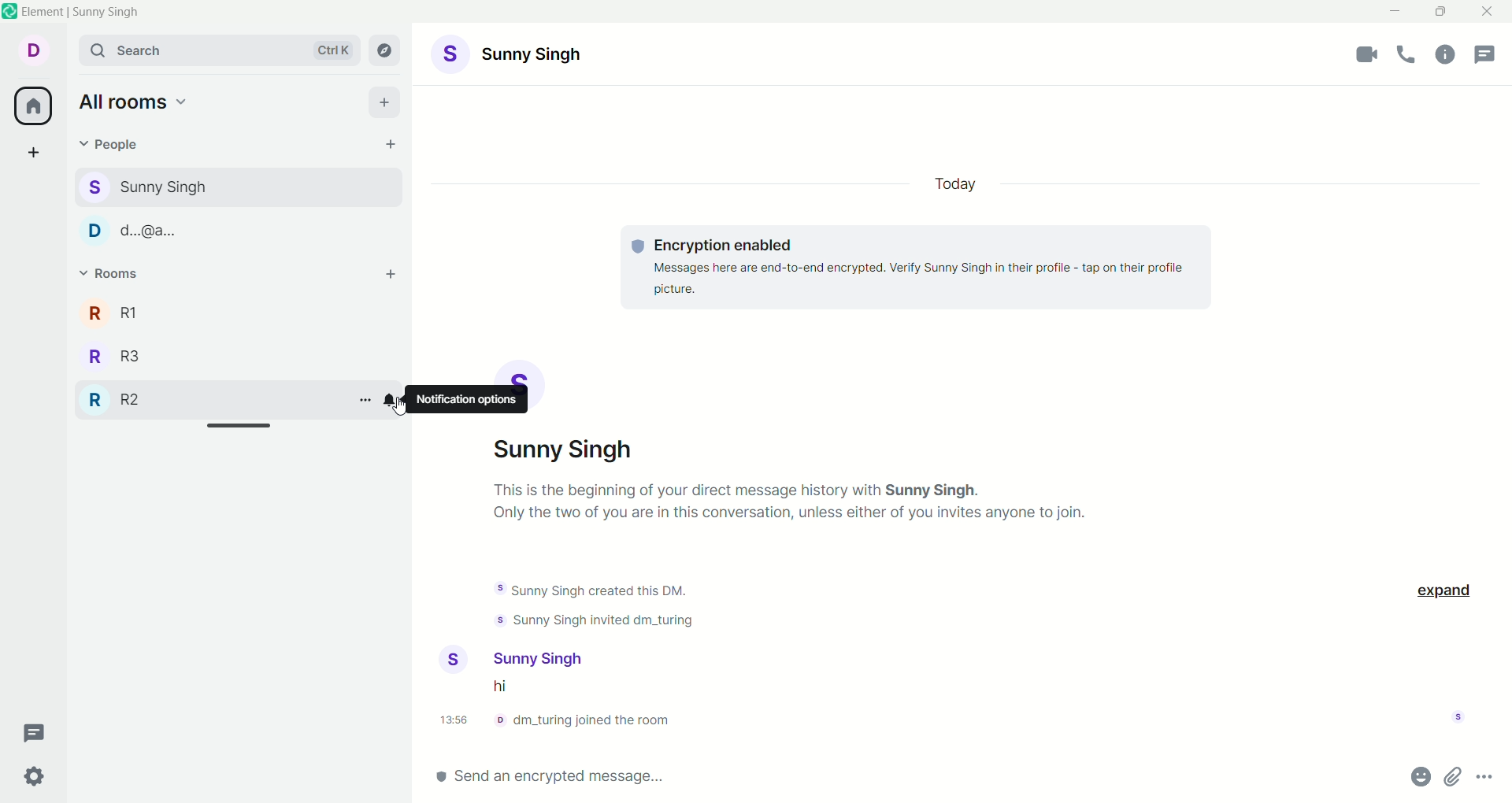 This screenshot has width=1512, height=803. Describe the element at coordinates (389, 102) in the screenshot. I see `add` at that location.